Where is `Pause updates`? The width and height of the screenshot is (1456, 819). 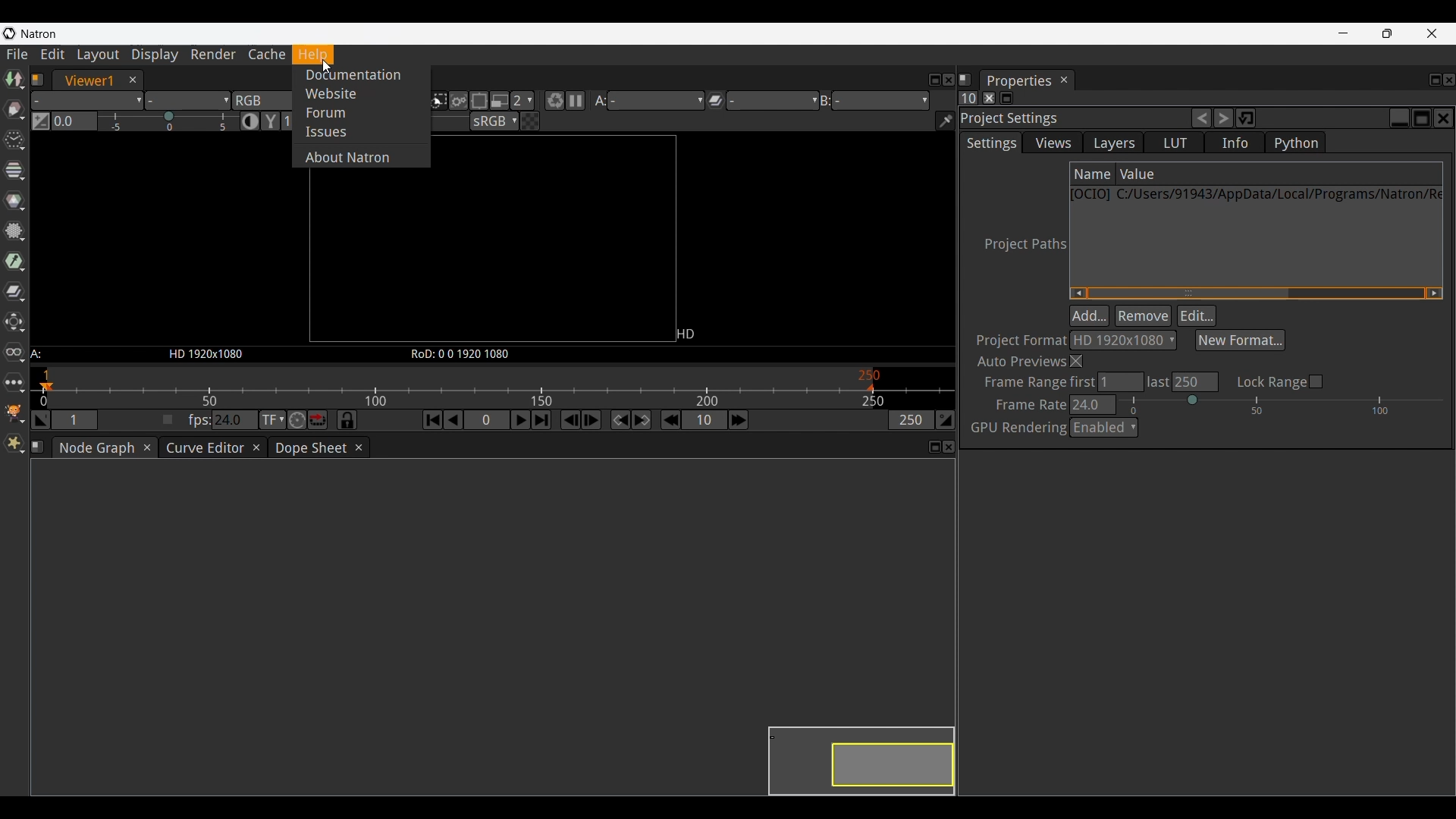 Pause updates is located at coordinates (575, 101).